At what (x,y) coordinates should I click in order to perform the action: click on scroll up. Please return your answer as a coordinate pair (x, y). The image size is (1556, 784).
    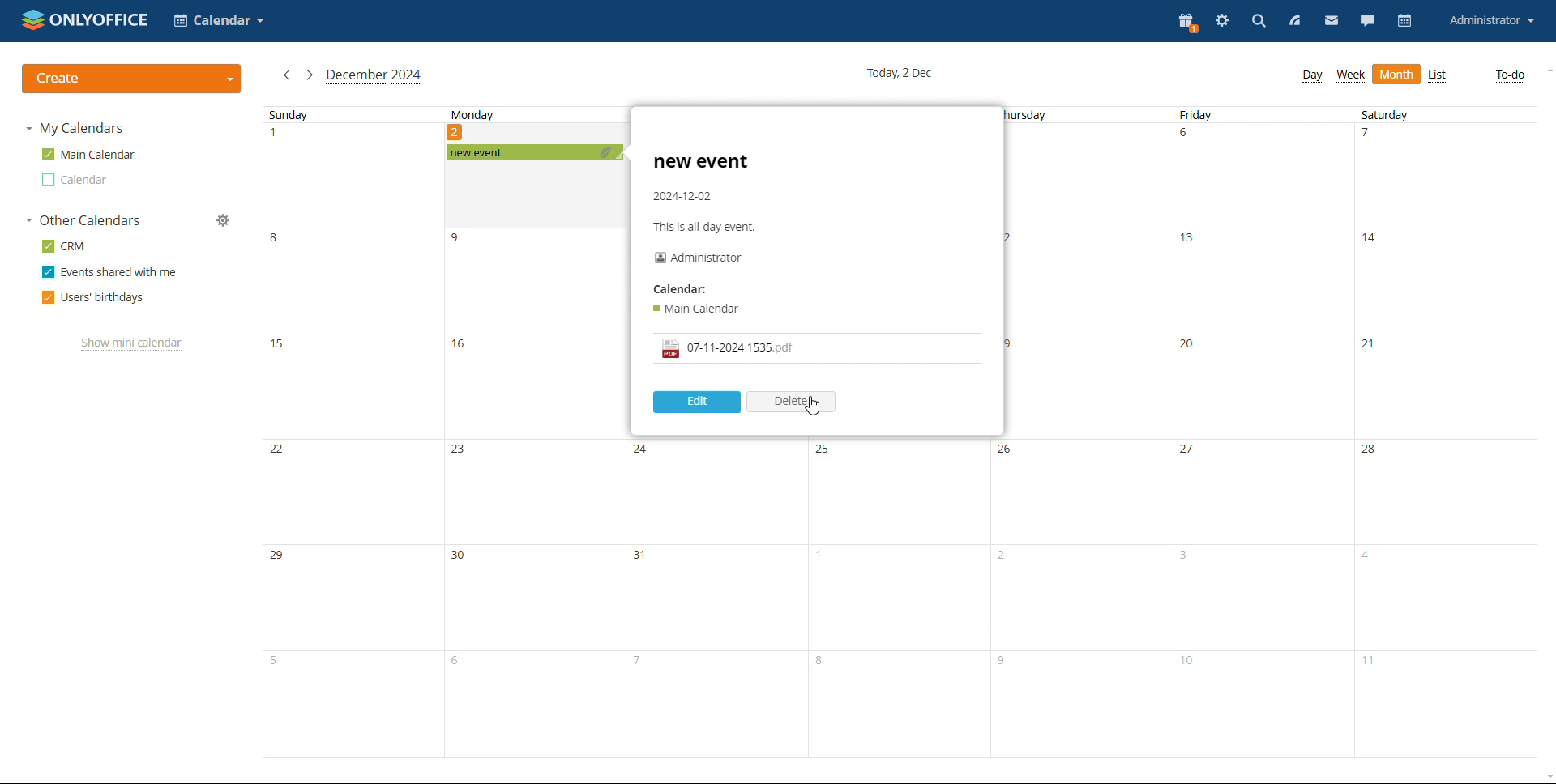
    Looking at the image, I should click on (1546, 71).